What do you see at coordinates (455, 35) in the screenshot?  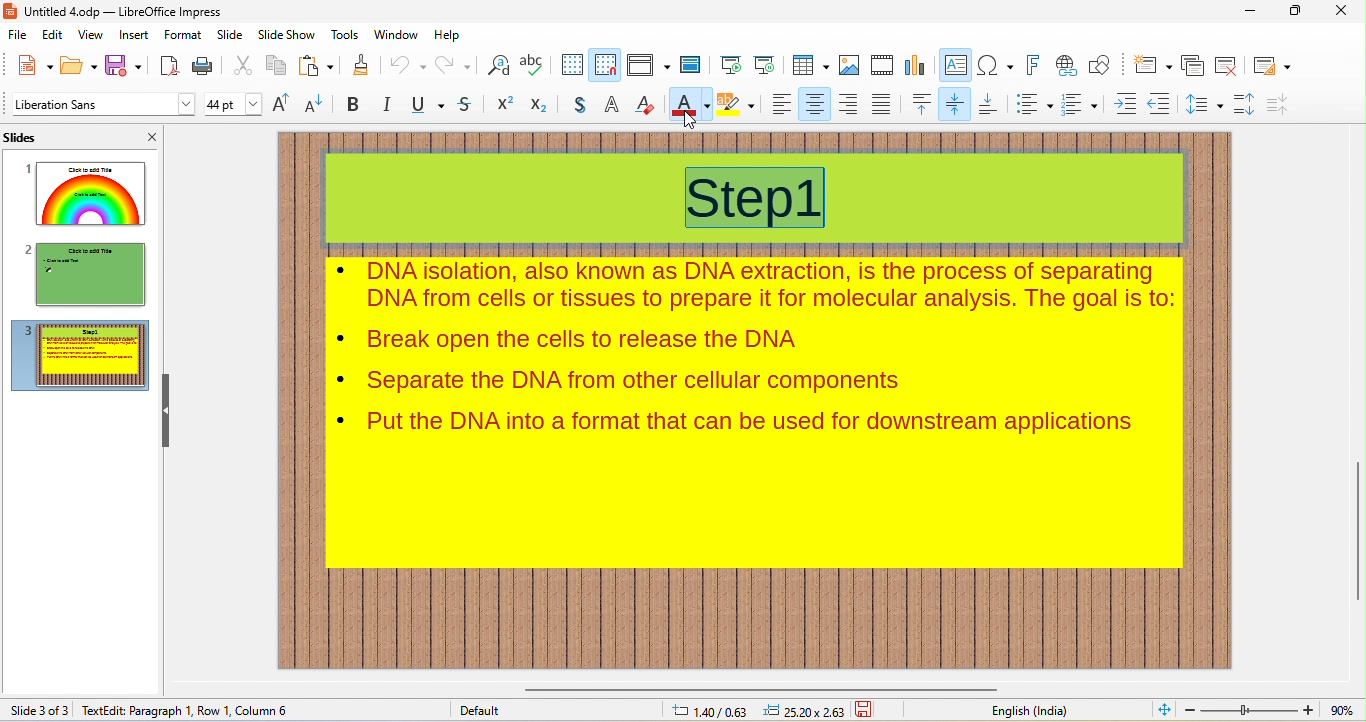 I see `help` at bounding box center [455, 35].